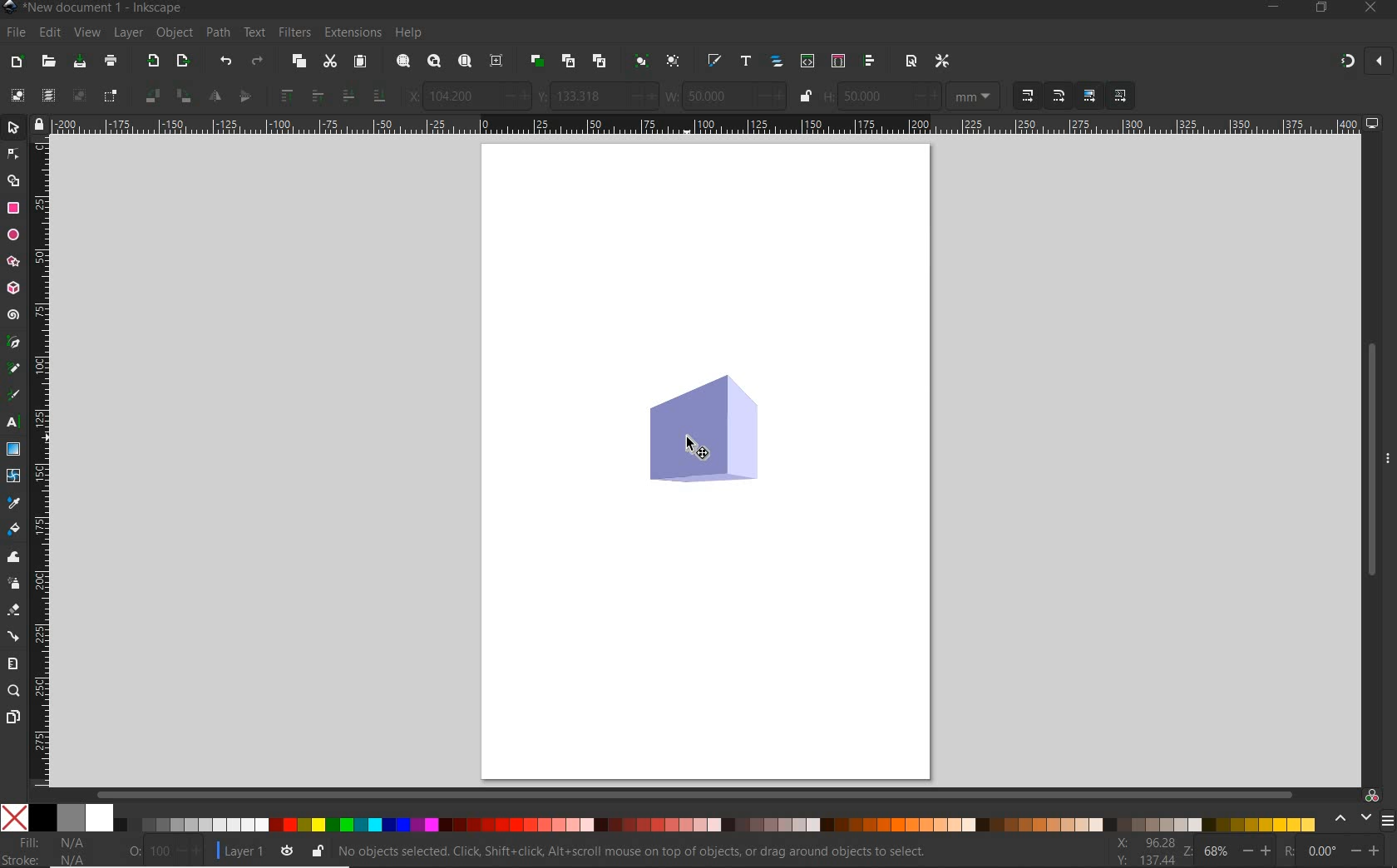  Describe the element at coordinates (13, 558) in the screenshot. I see `tweak tool` at that location.